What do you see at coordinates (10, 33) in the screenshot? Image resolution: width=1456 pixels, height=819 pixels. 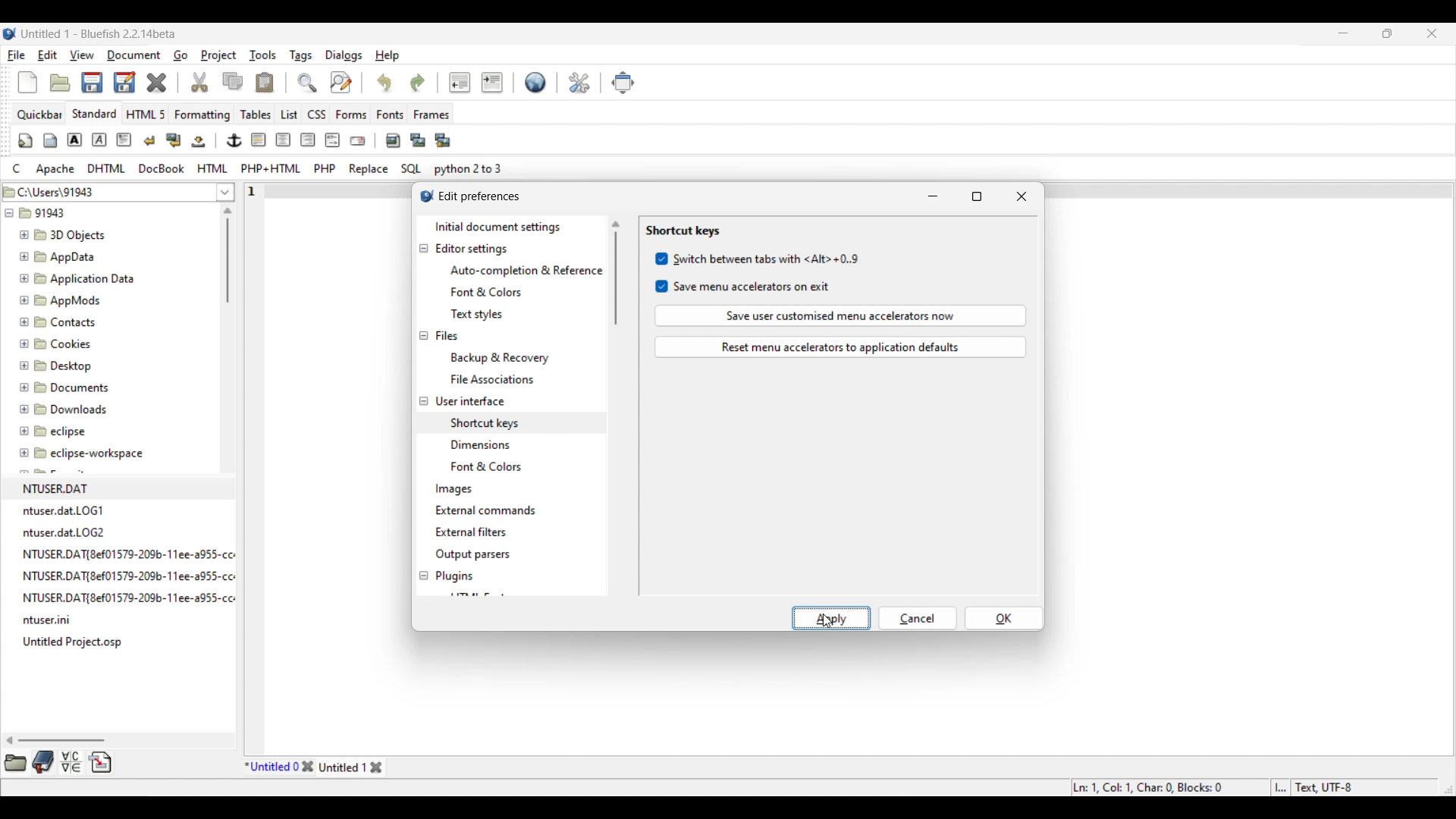 I see `Software logo` at bounding box center [10, 33].